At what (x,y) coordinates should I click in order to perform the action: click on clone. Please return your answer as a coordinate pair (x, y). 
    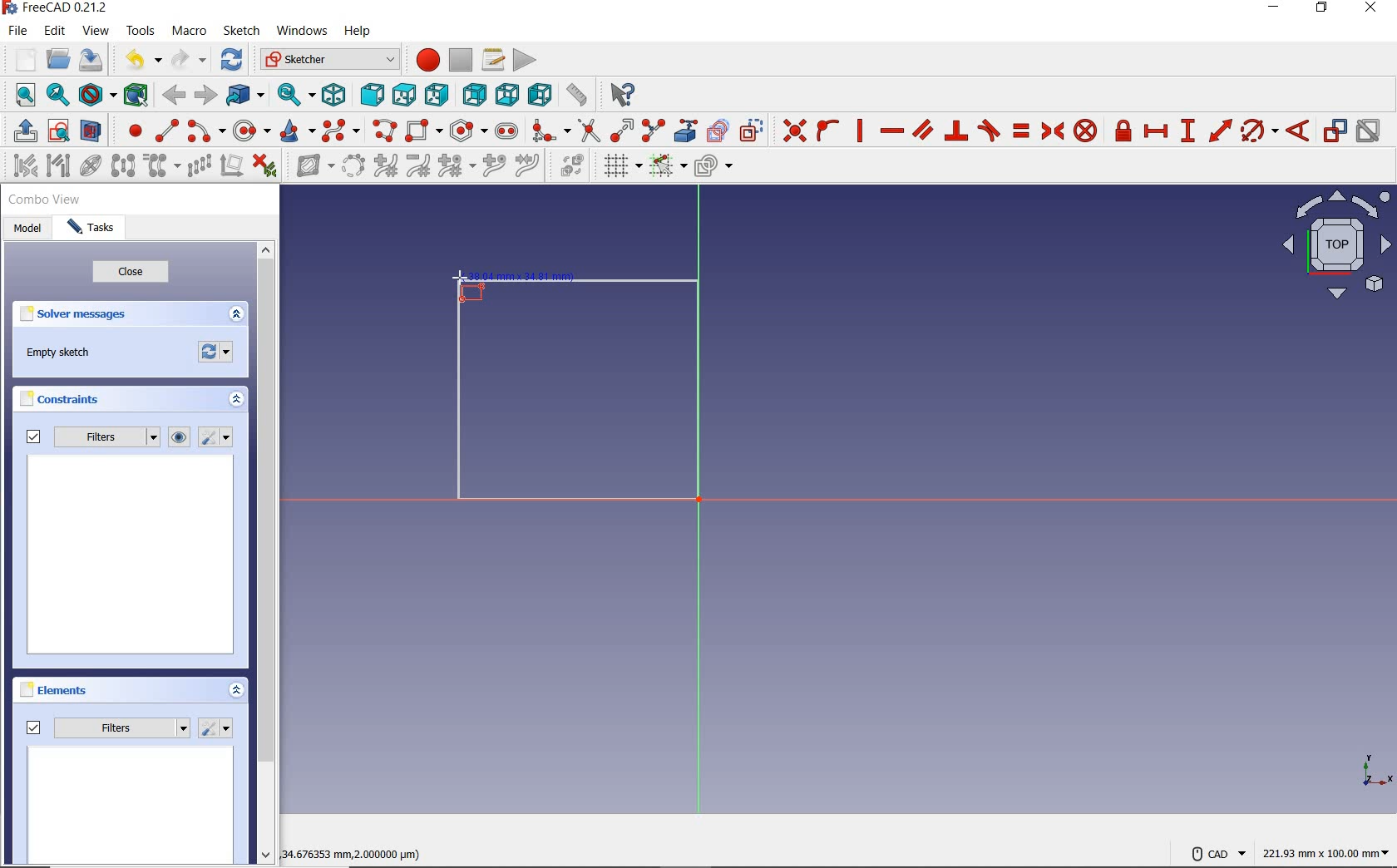
    Looking at the image, I should click on (163, 167).